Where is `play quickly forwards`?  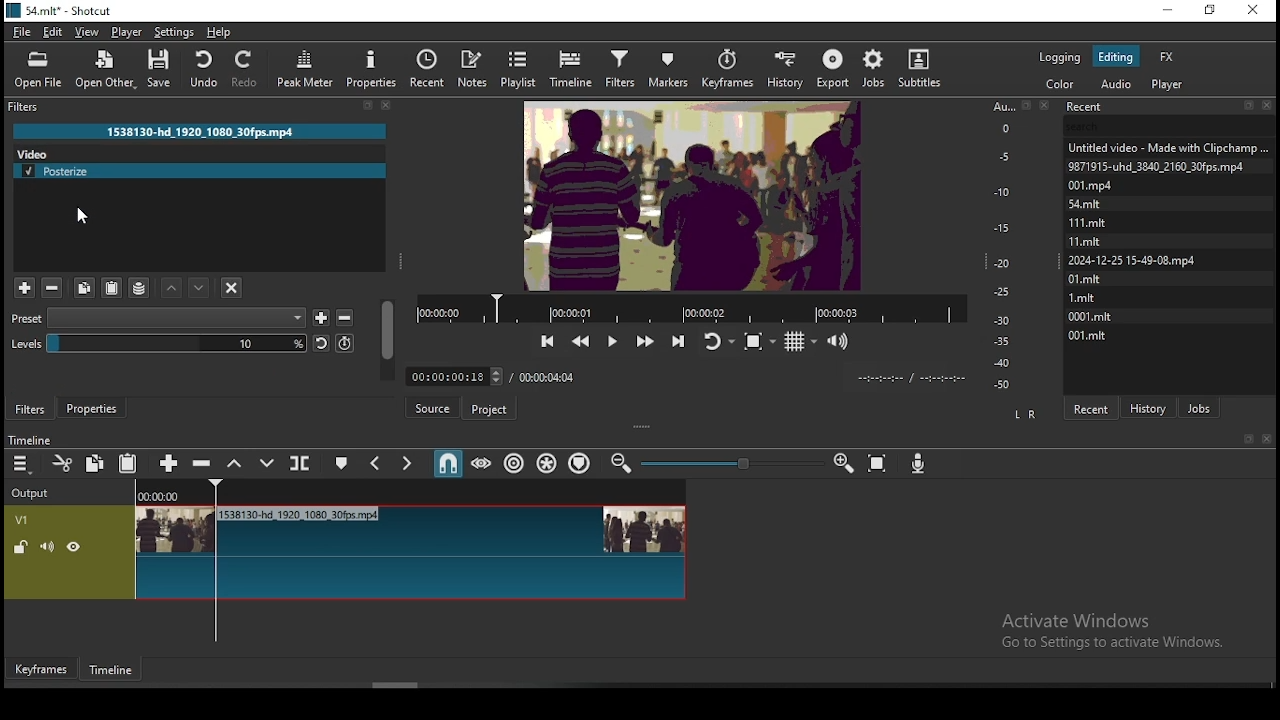
play quickly forwards is located at coordinates (643, 340).